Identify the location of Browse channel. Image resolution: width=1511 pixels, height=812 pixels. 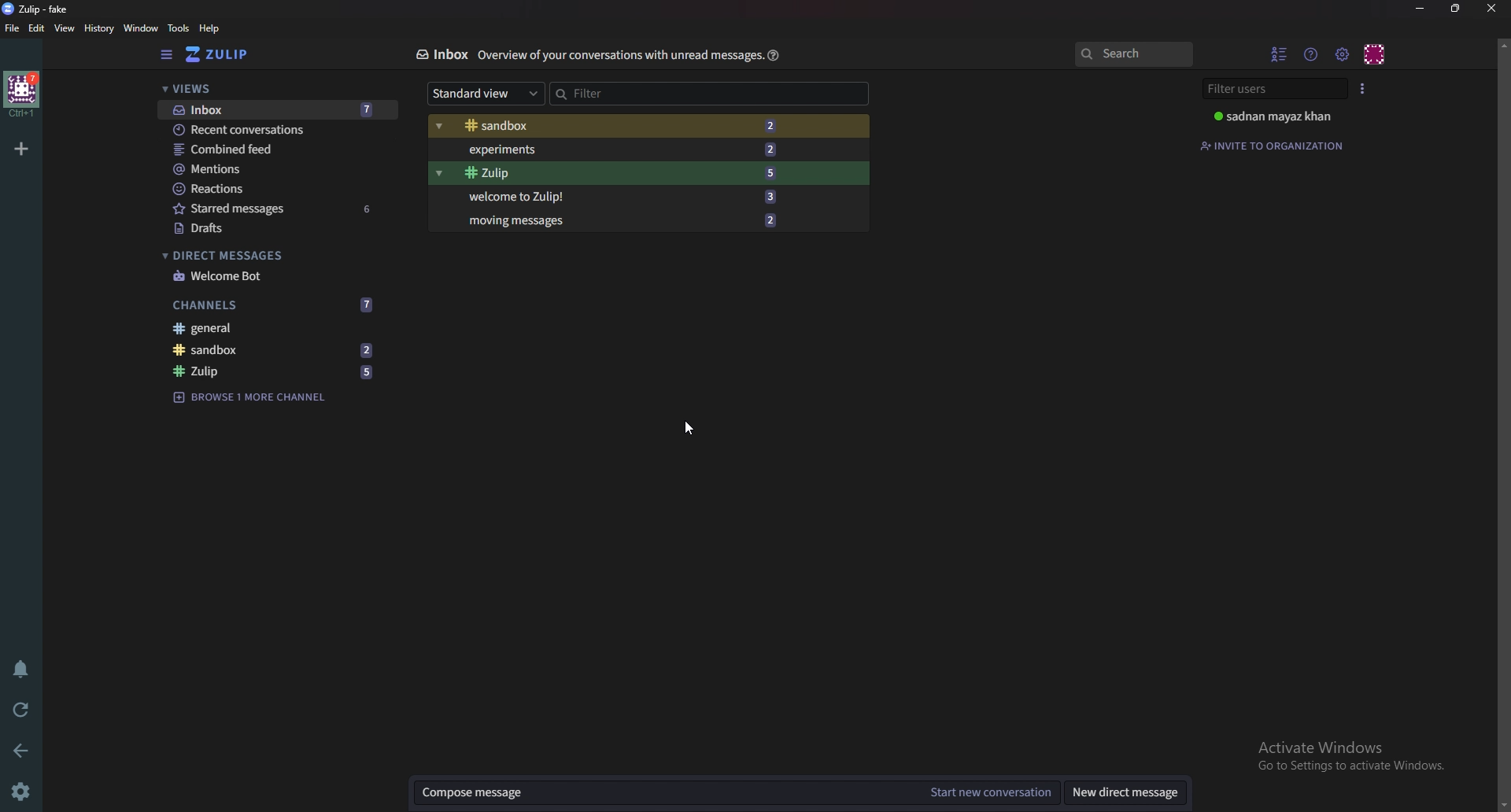
(250, 396).